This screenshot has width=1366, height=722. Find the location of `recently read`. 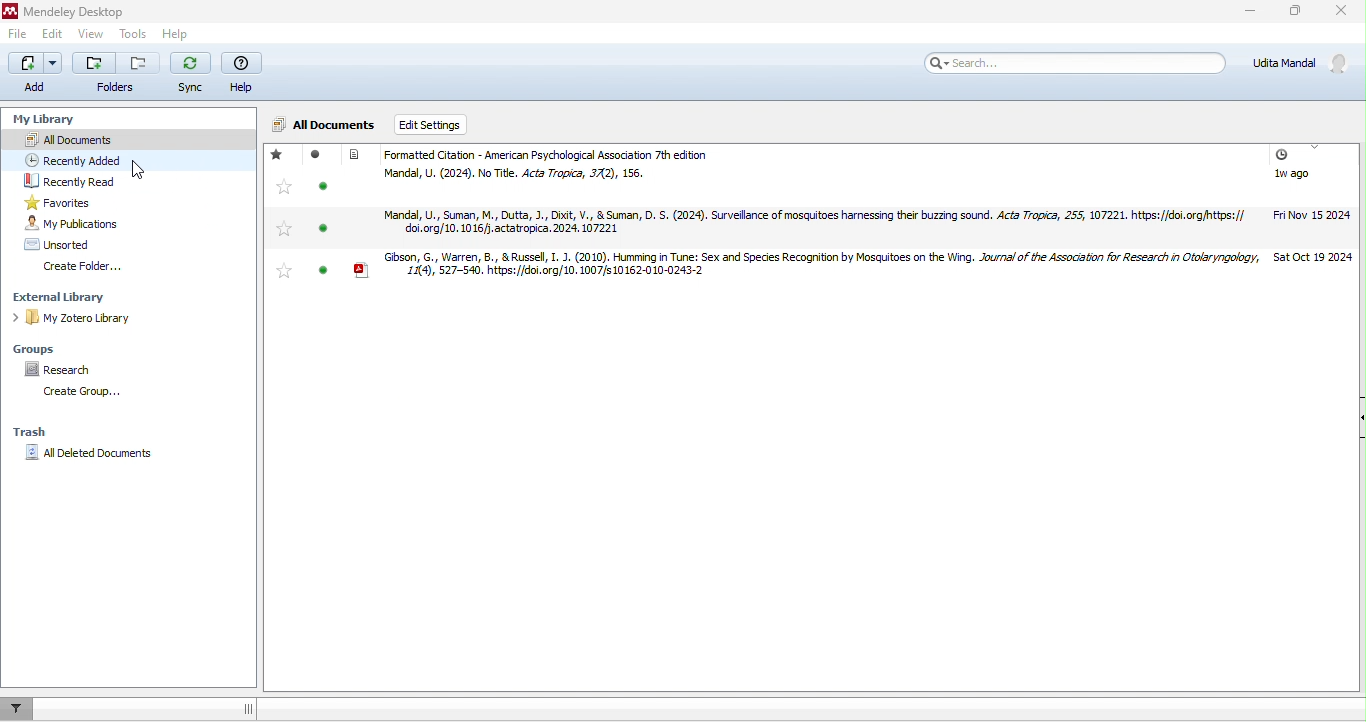

recently read is located at coordinates (67, 182).